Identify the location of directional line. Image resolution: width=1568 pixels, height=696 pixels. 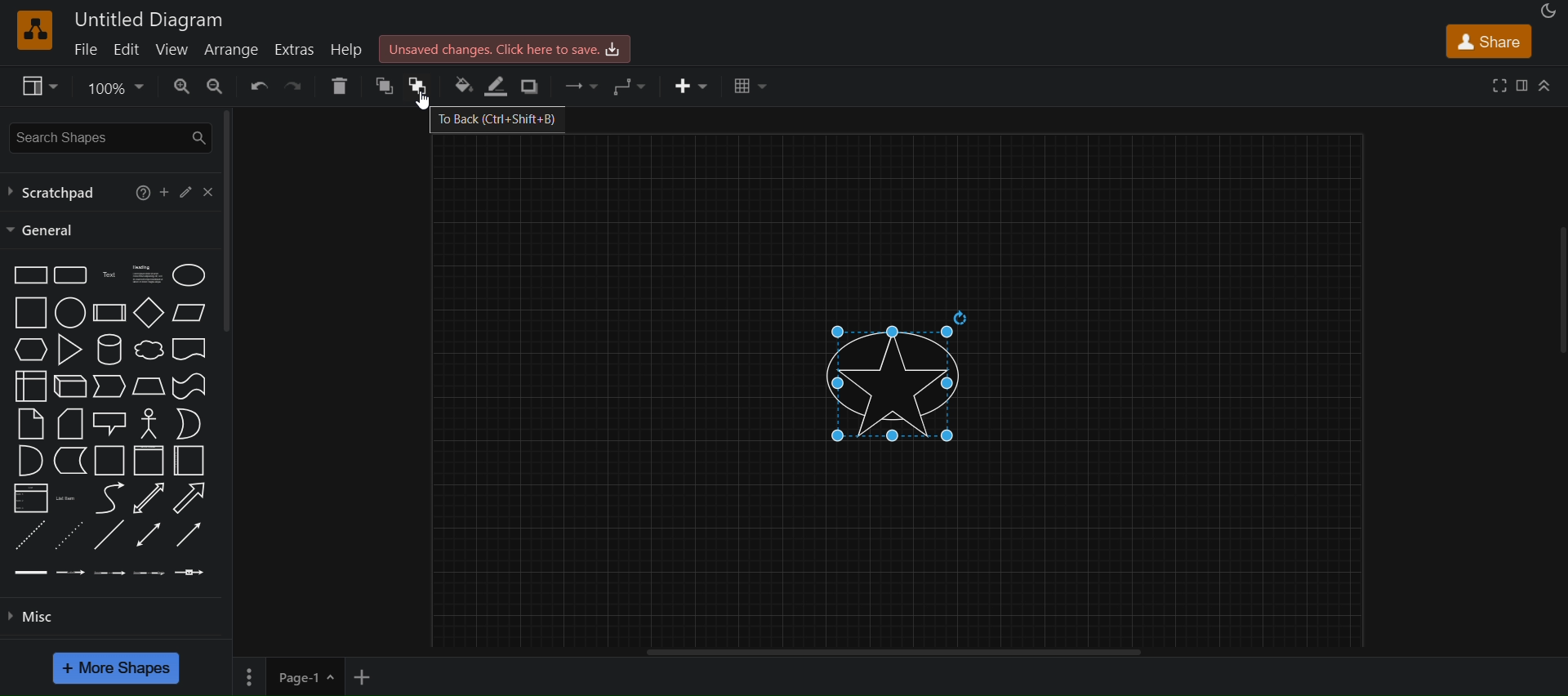
(189, 533).